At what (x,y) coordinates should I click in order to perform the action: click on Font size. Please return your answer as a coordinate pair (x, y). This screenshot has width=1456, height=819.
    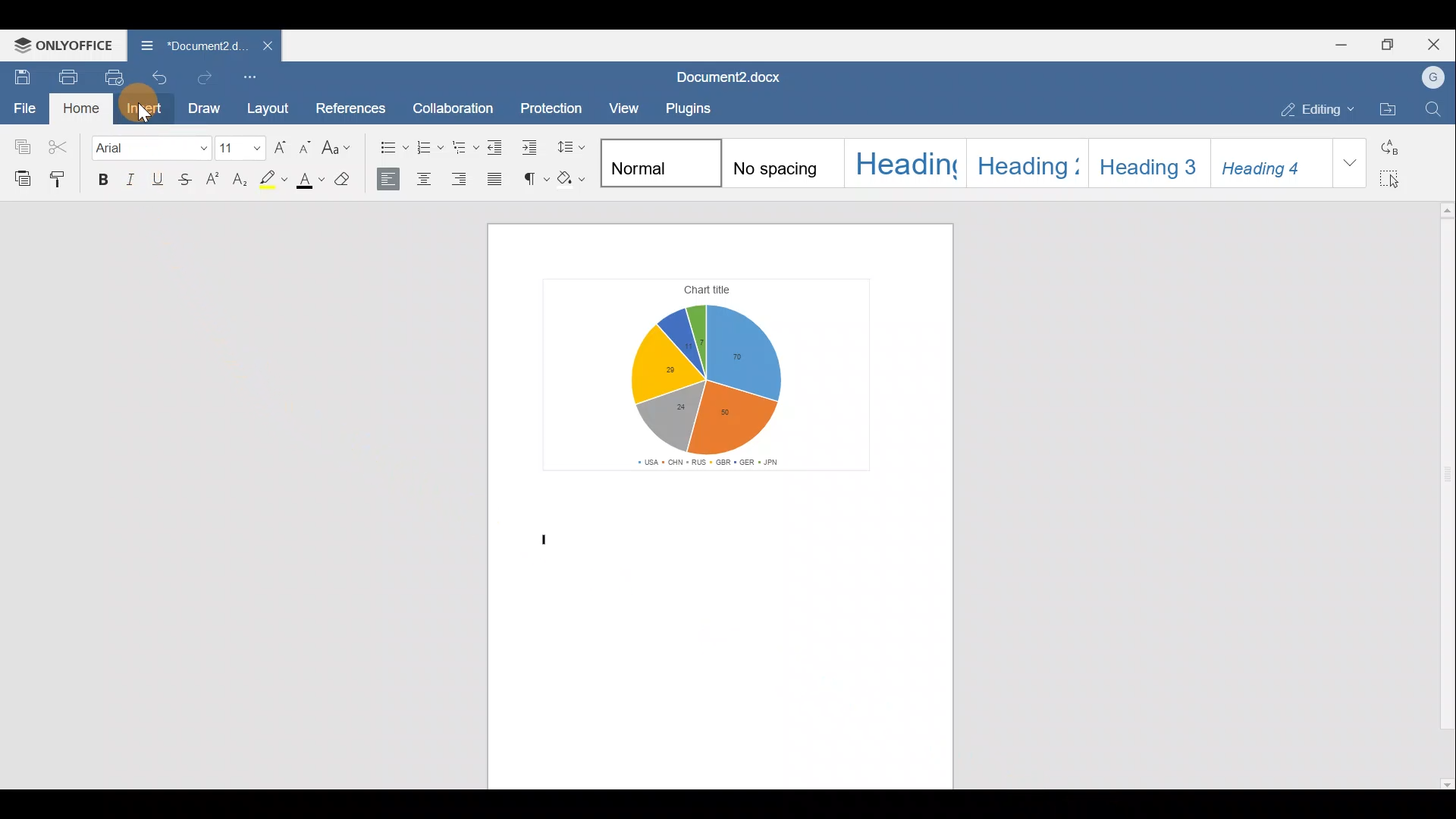
    Looking at the image, I should click on (241, 149).